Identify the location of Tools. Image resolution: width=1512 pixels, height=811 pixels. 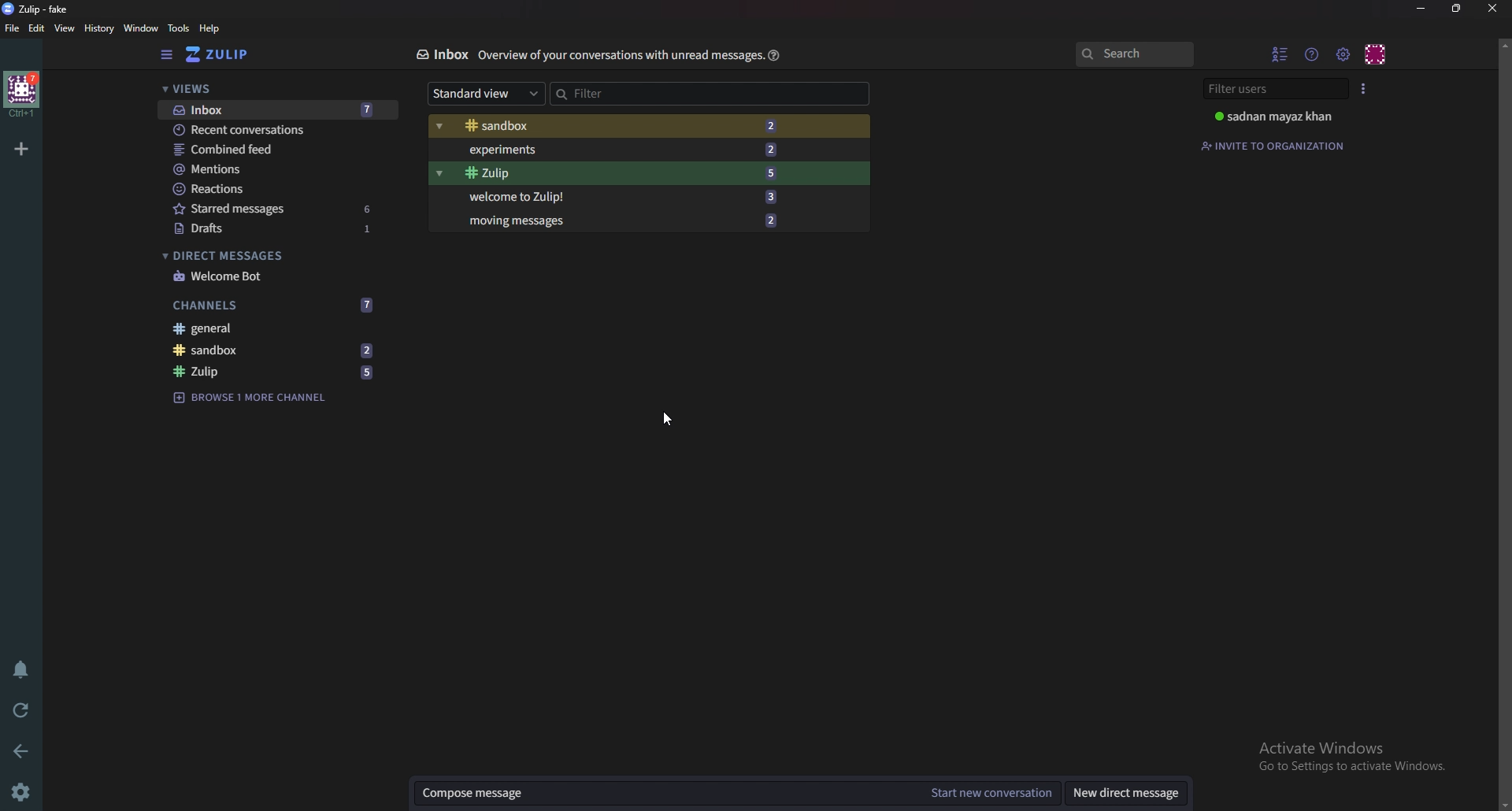
(180, 29).